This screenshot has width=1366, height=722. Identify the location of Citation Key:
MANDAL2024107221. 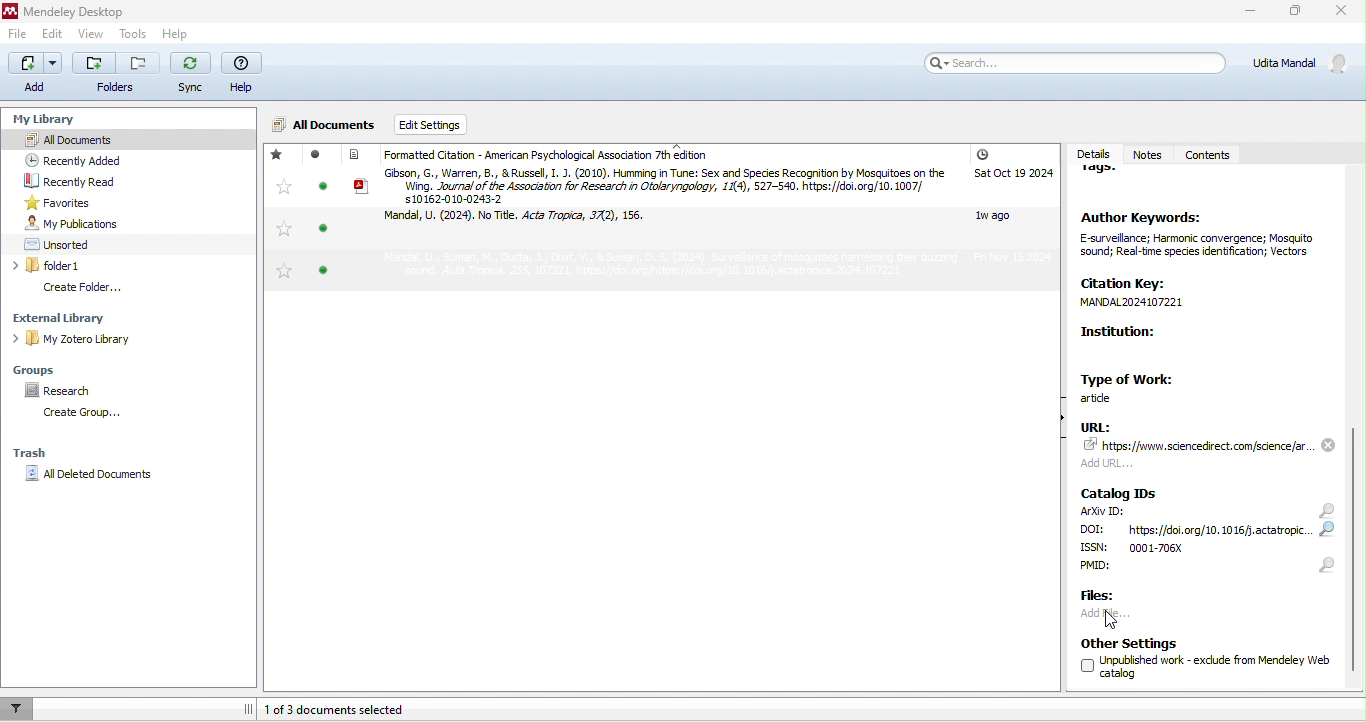
(1158, 293).